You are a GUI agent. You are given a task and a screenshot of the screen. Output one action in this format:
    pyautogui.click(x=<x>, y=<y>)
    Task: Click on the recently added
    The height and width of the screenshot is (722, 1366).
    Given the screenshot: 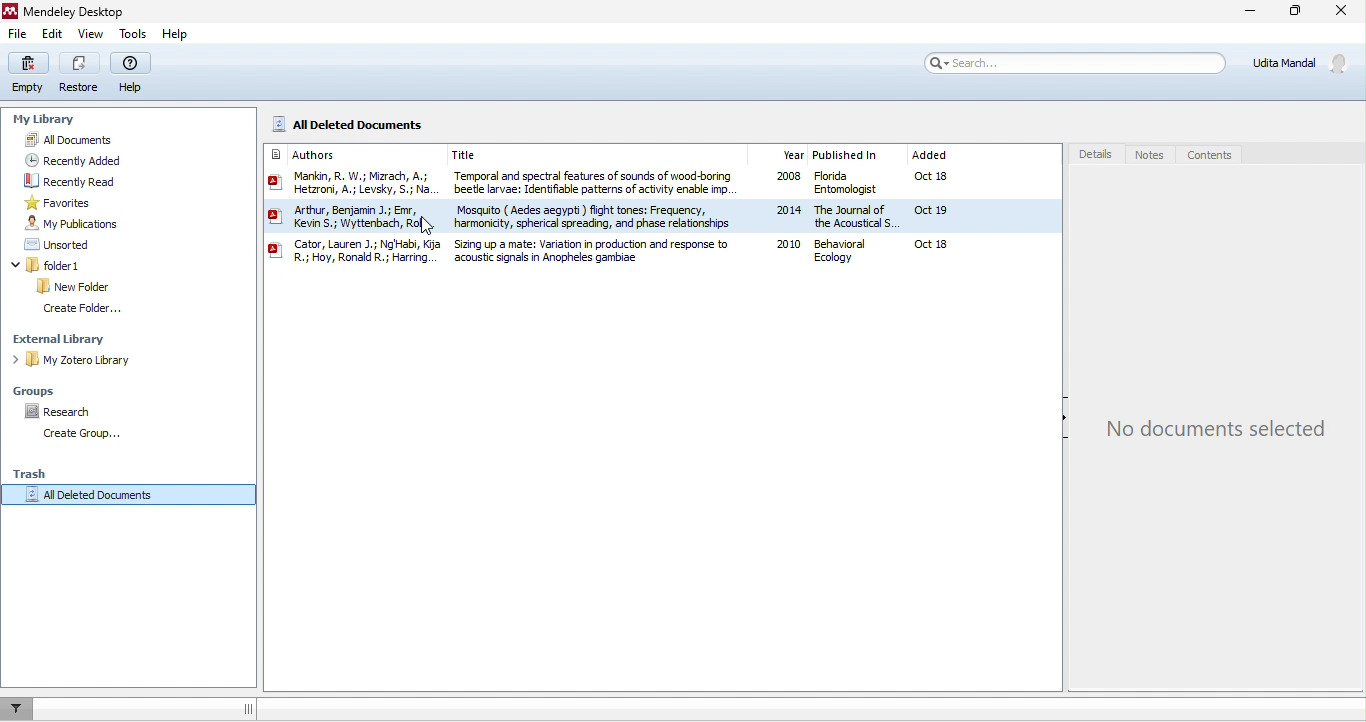 What is the action you would take?
    pyautogui.click(x=97, y=158)
    